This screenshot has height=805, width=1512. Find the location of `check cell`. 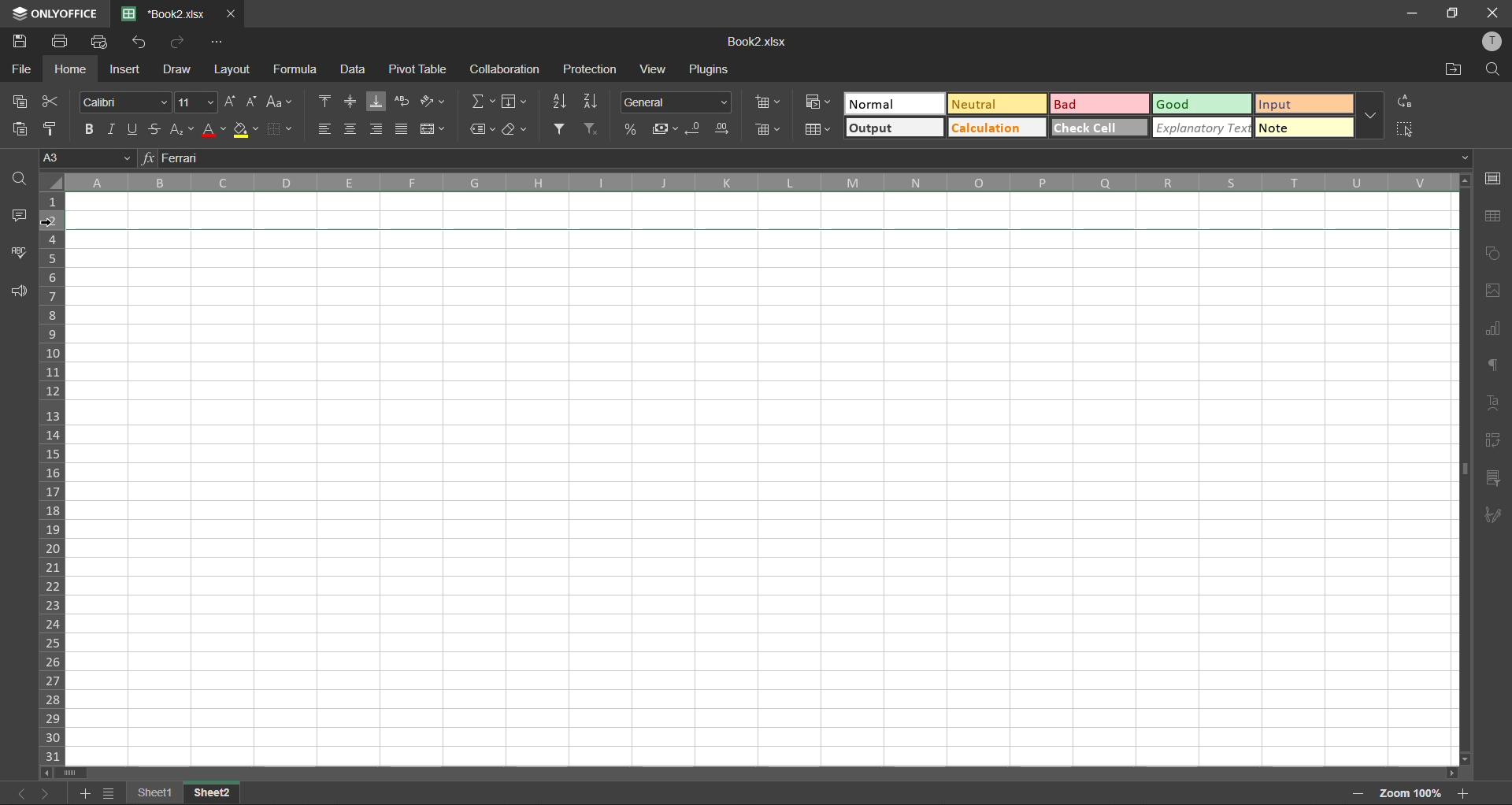

check cell is located at coordinates (1099, 127).